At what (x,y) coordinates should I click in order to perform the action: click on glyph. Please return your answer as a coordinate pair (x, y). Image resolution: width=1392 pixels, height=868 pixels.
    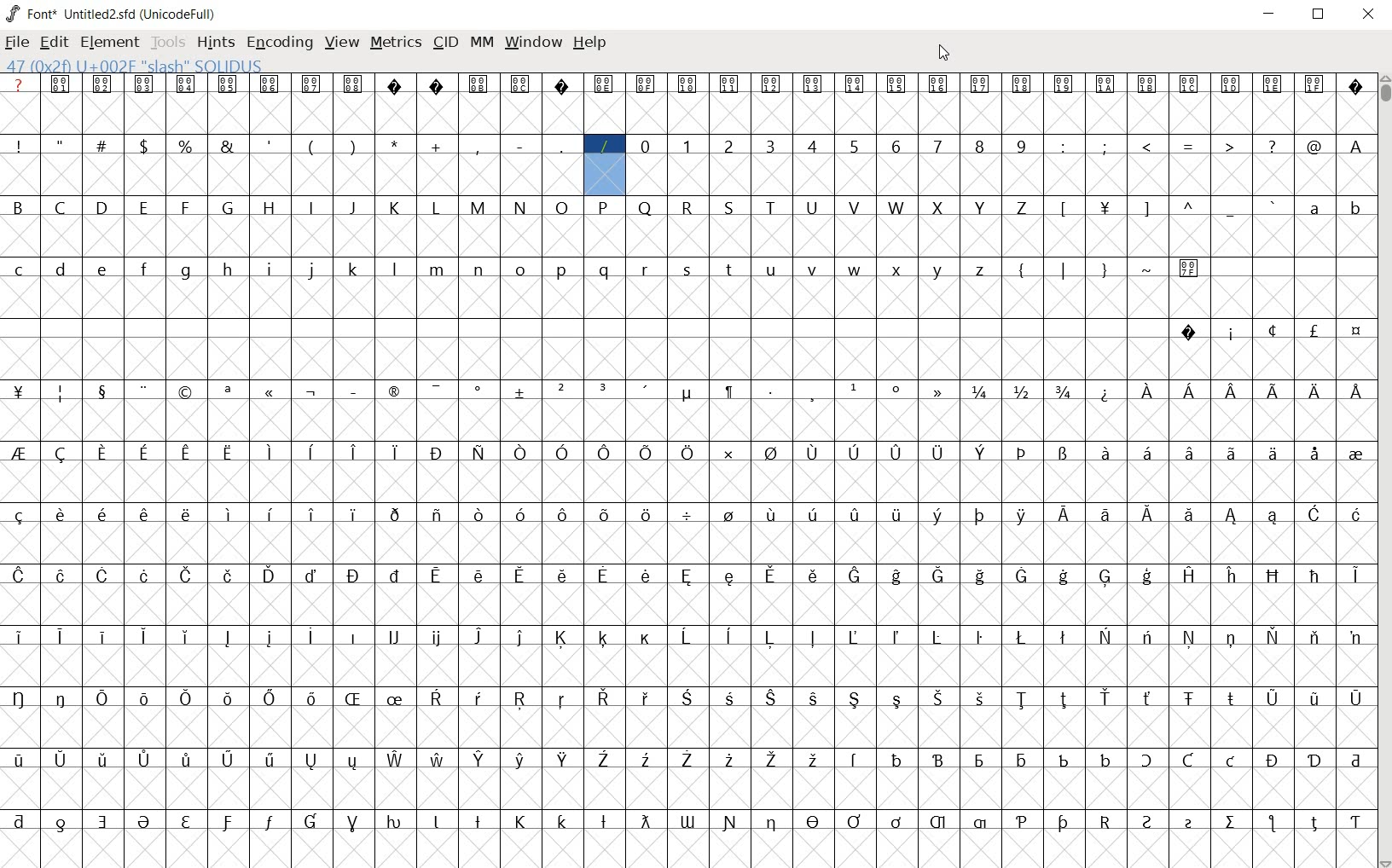
    Looking at the image, I should click on (521, 392).